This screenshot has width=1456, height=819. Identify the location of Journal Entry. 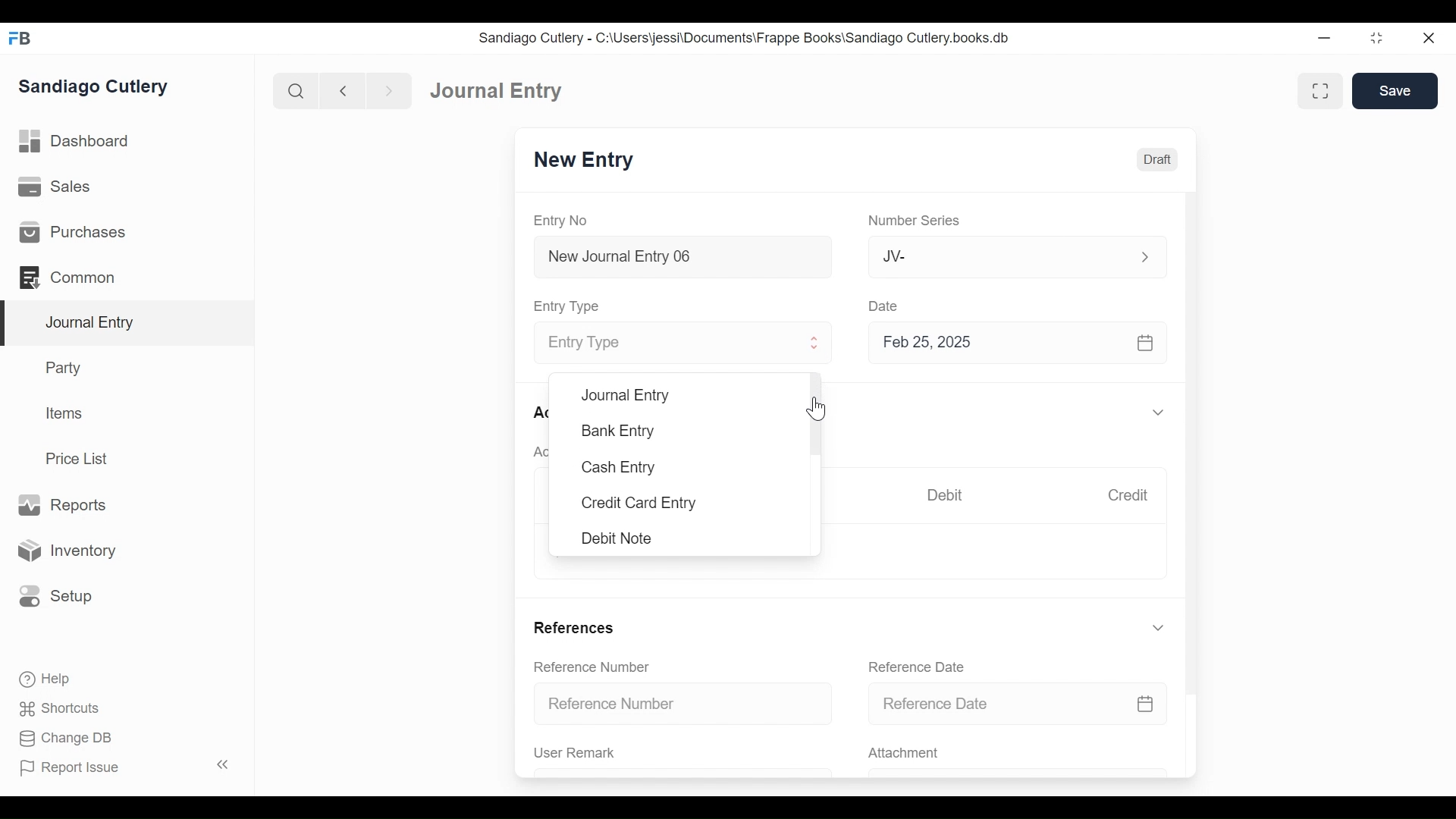
(625, 395).